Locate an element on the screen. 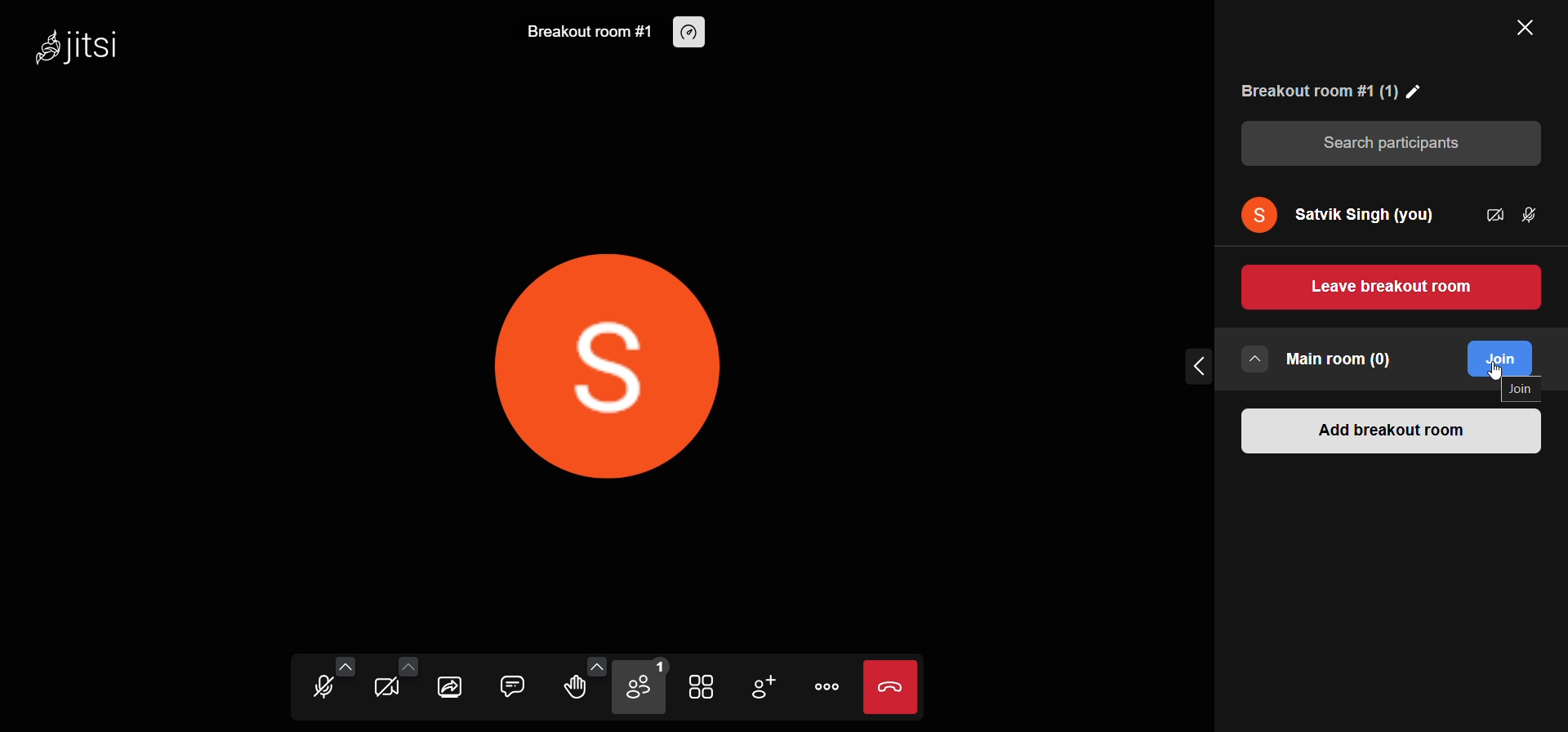 The height and width of the screenshot is (732, 1568). invite people is located at coordinates (770, 686).